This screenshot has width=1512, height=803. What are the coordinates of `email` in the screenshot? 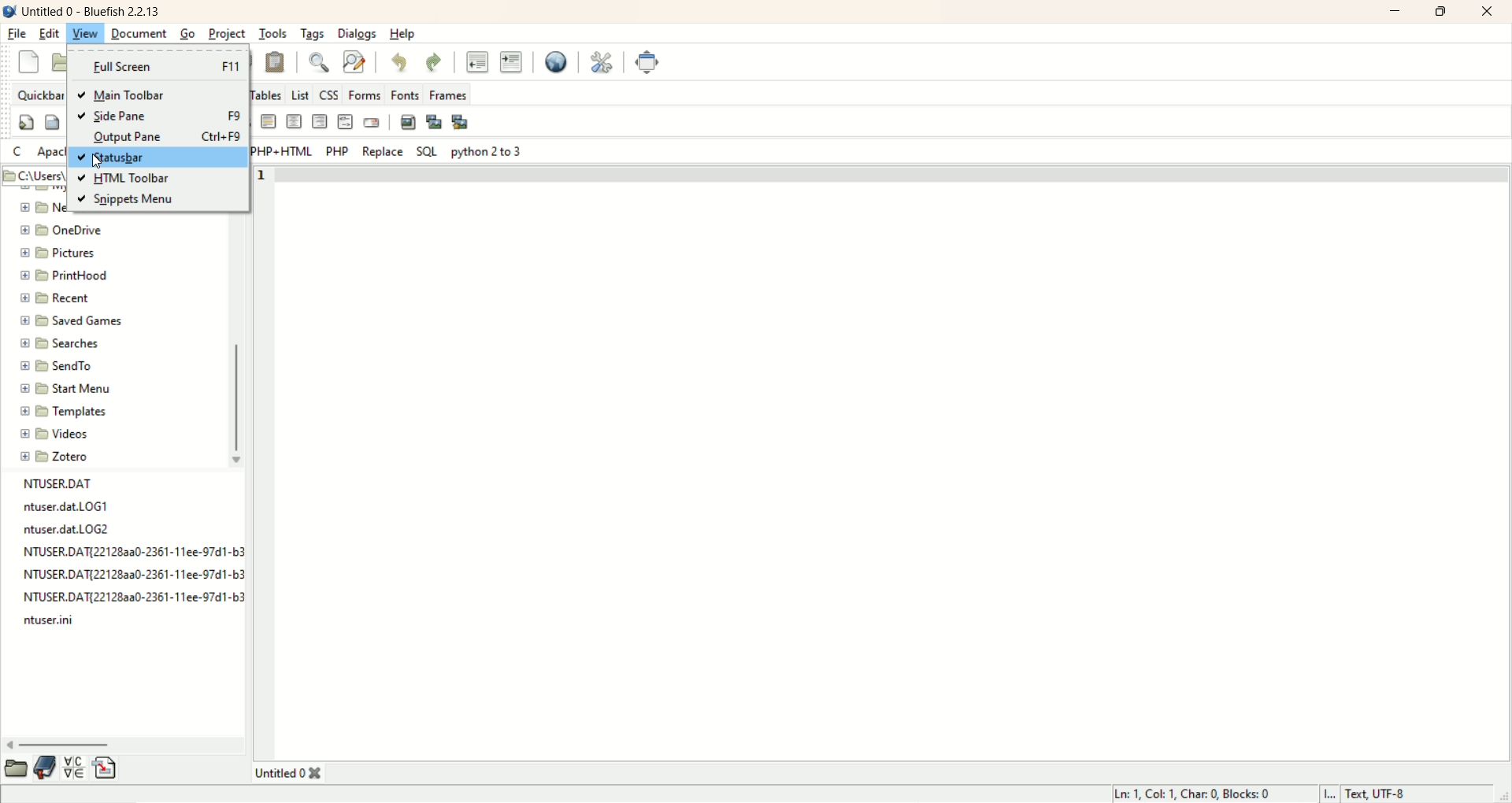 It's located at (372, 122).